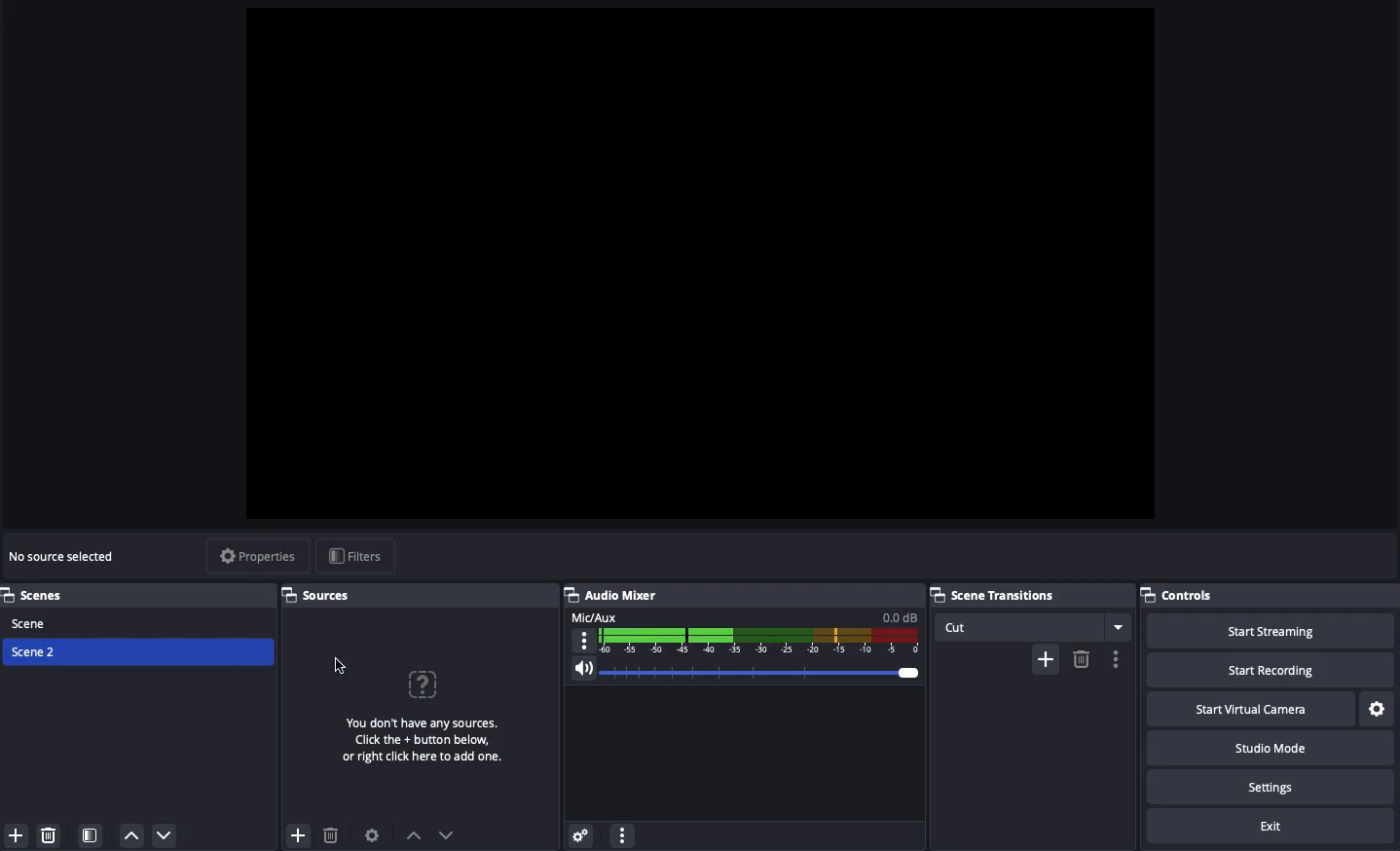 The width and height of the screenshot is (1400, 851). Describe the element at coordinates (1271, 824) in the screenshot. I see `Exit` at that location.